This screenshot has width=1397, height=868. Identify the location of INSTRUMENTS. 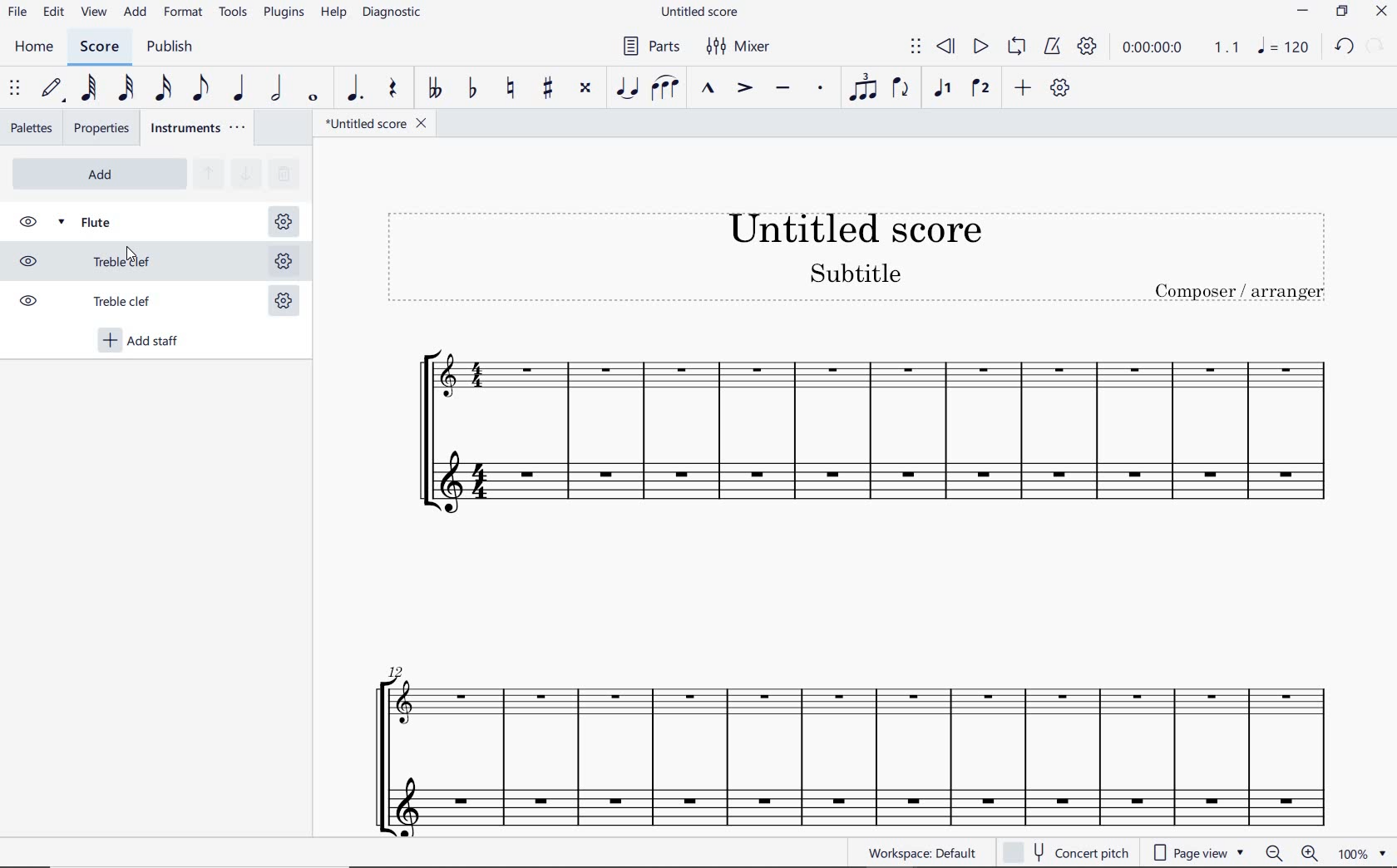
(200, 129).